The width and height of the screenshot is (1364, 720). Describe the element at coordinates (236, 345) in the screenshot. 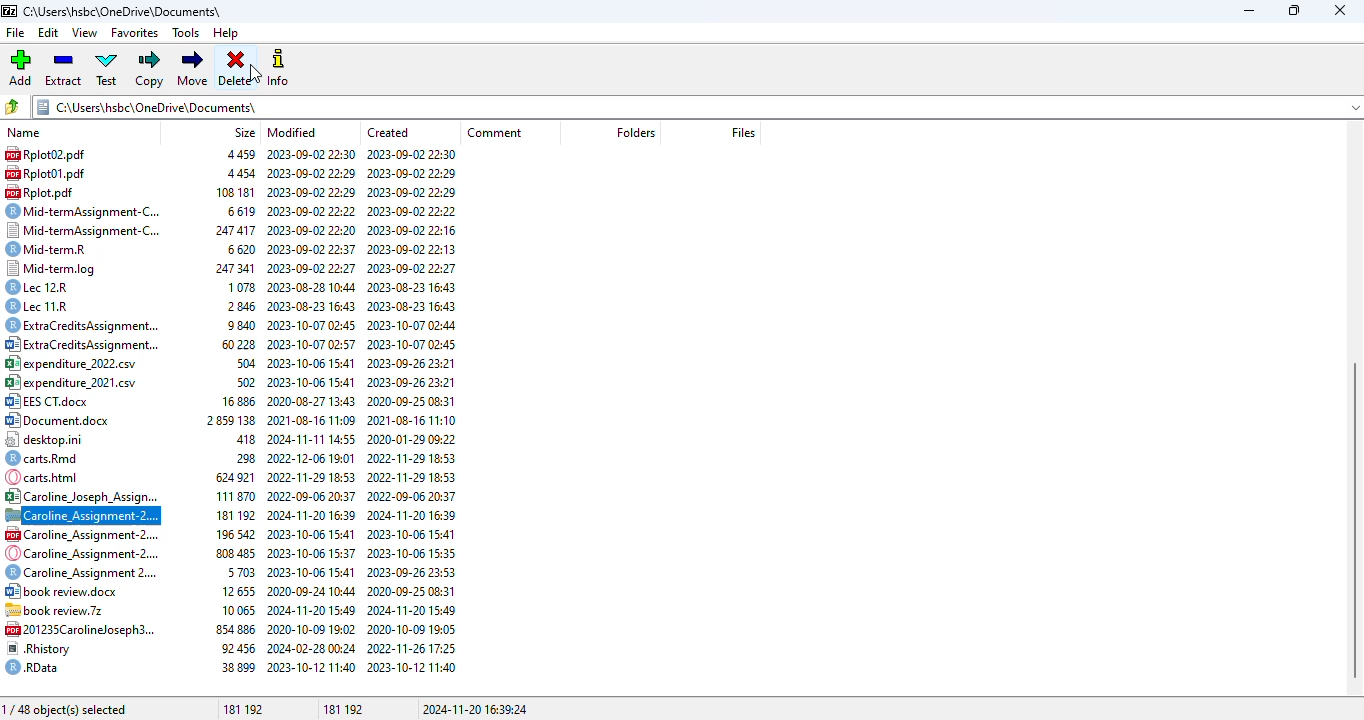

I see `60228` at that location.